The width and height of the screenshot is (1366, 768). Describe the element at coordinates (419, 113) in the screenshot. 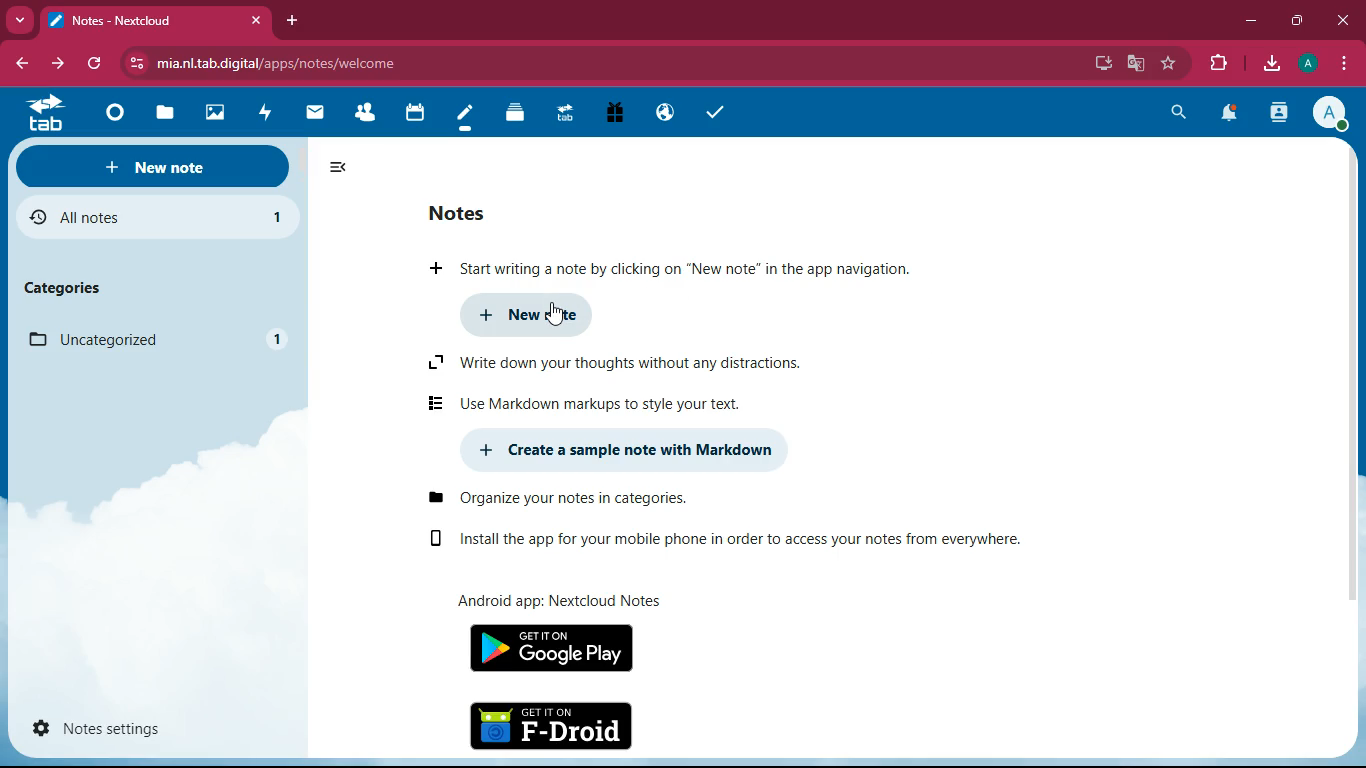

I see `calendar` at that location.